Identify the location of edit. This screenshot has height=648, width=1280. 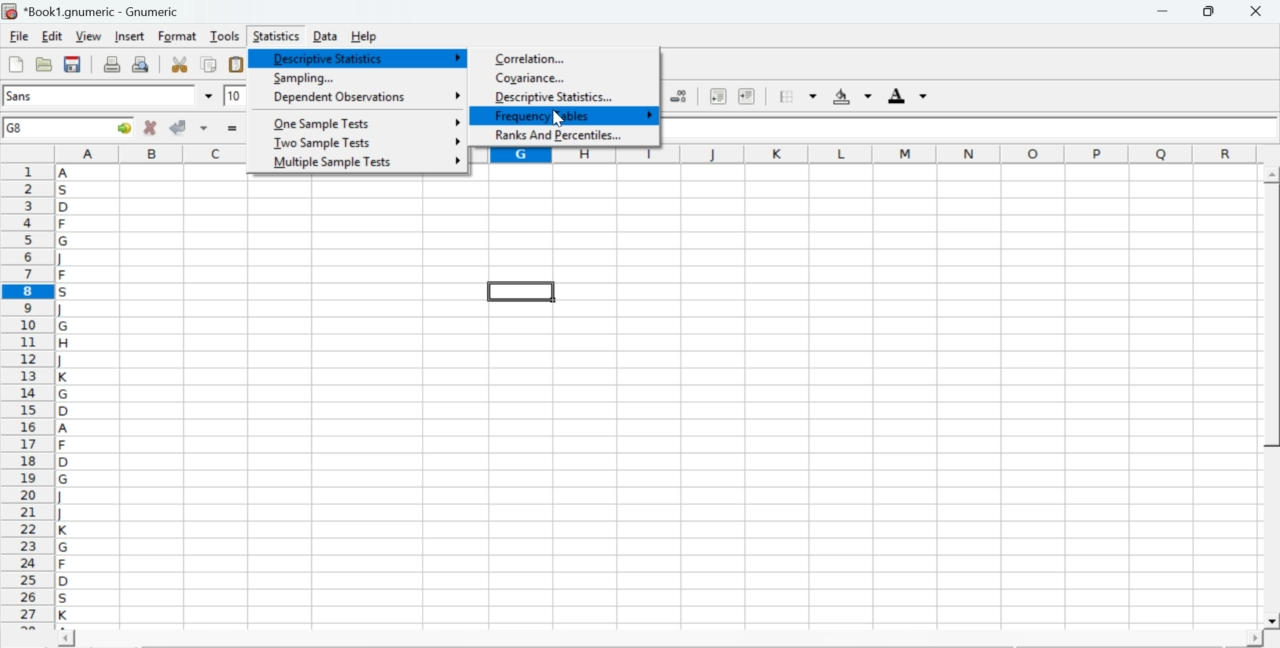
(52, 36).